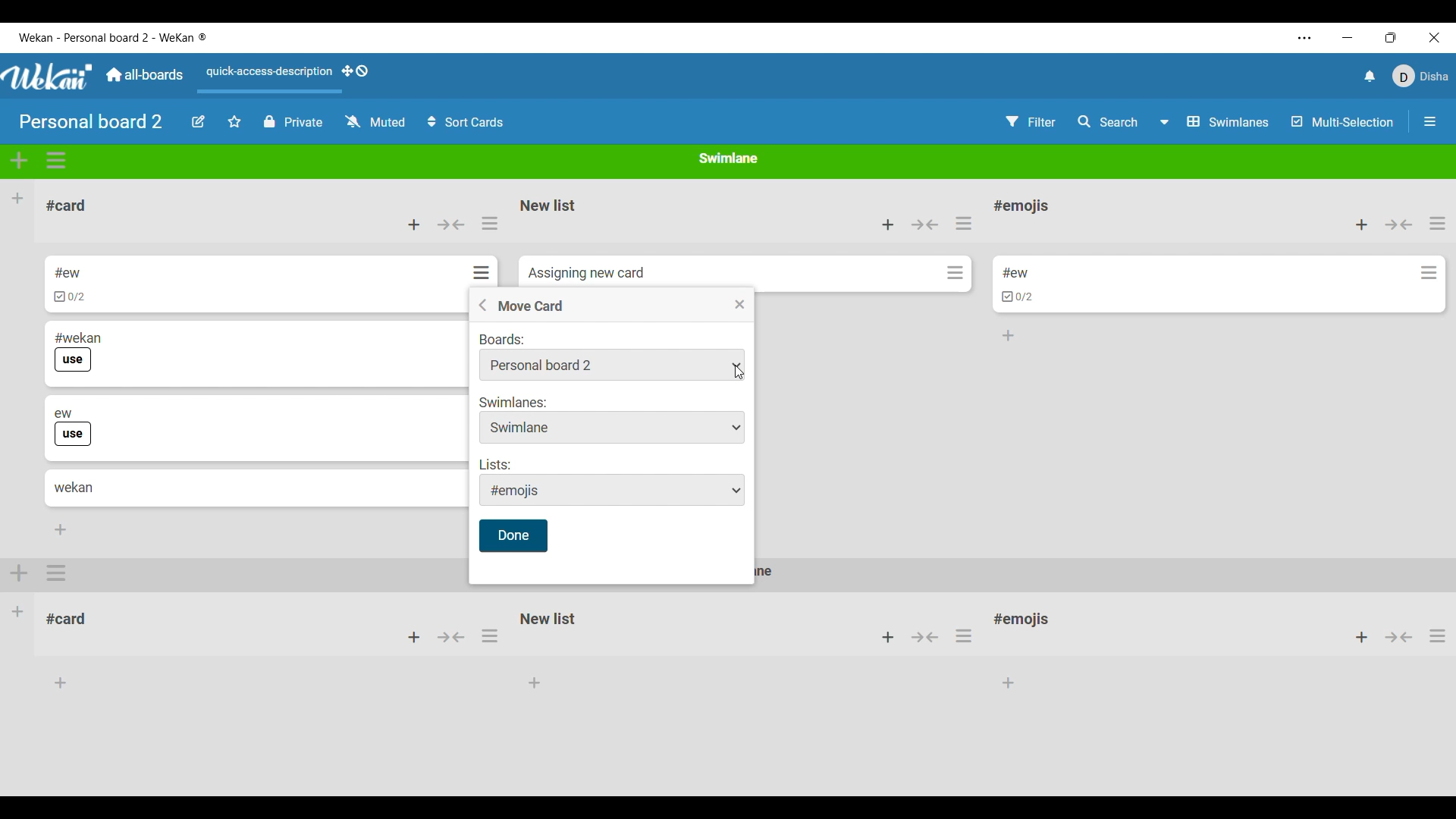 The image size is (1456, 819). Describe the element at coordinates (548, 206) in the screenshot. I see `List name` at that location.